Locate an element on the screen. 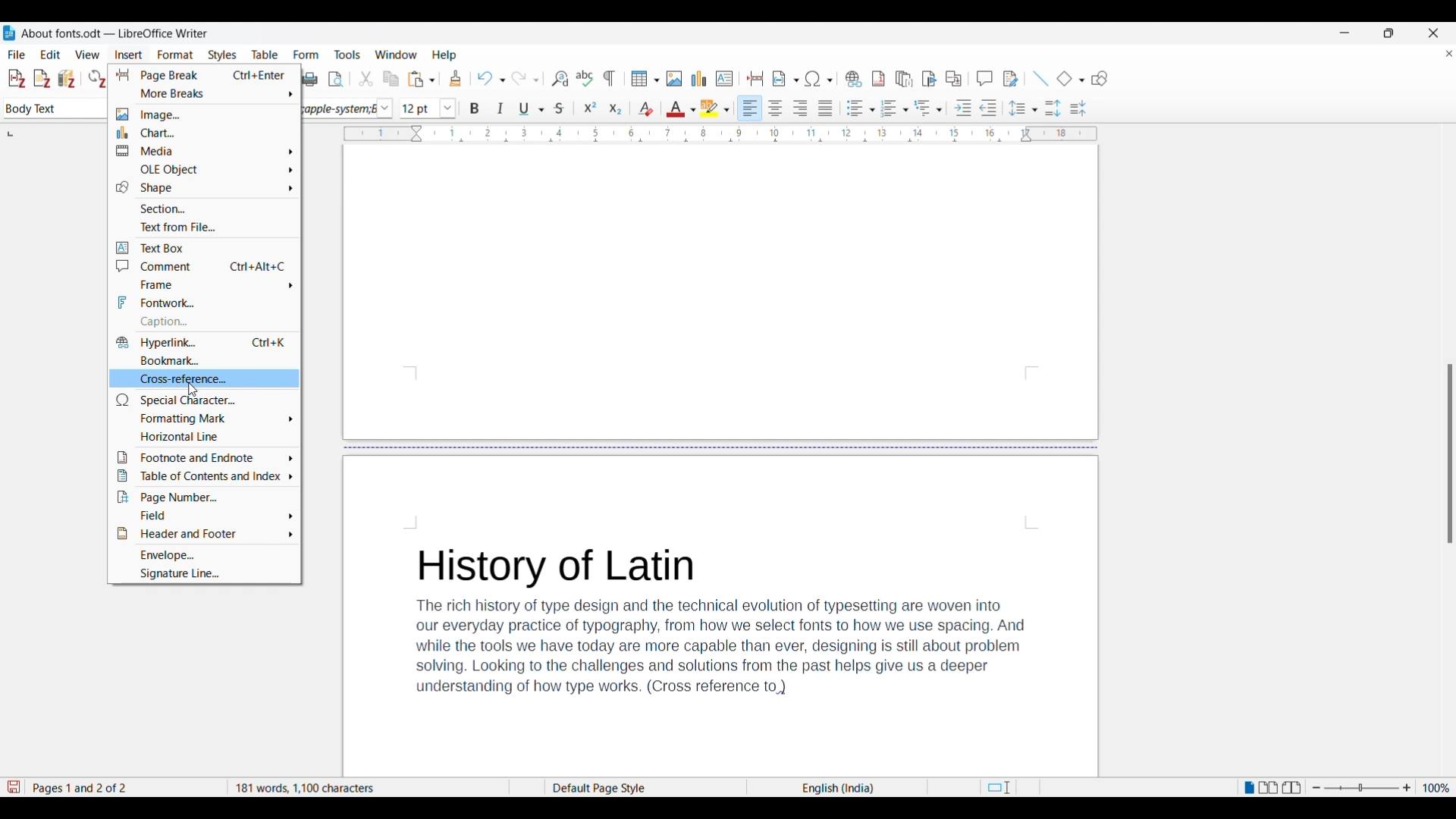 This screenshot has width=1456, height=819. Increase indentation is located at coordinates (963, 108).